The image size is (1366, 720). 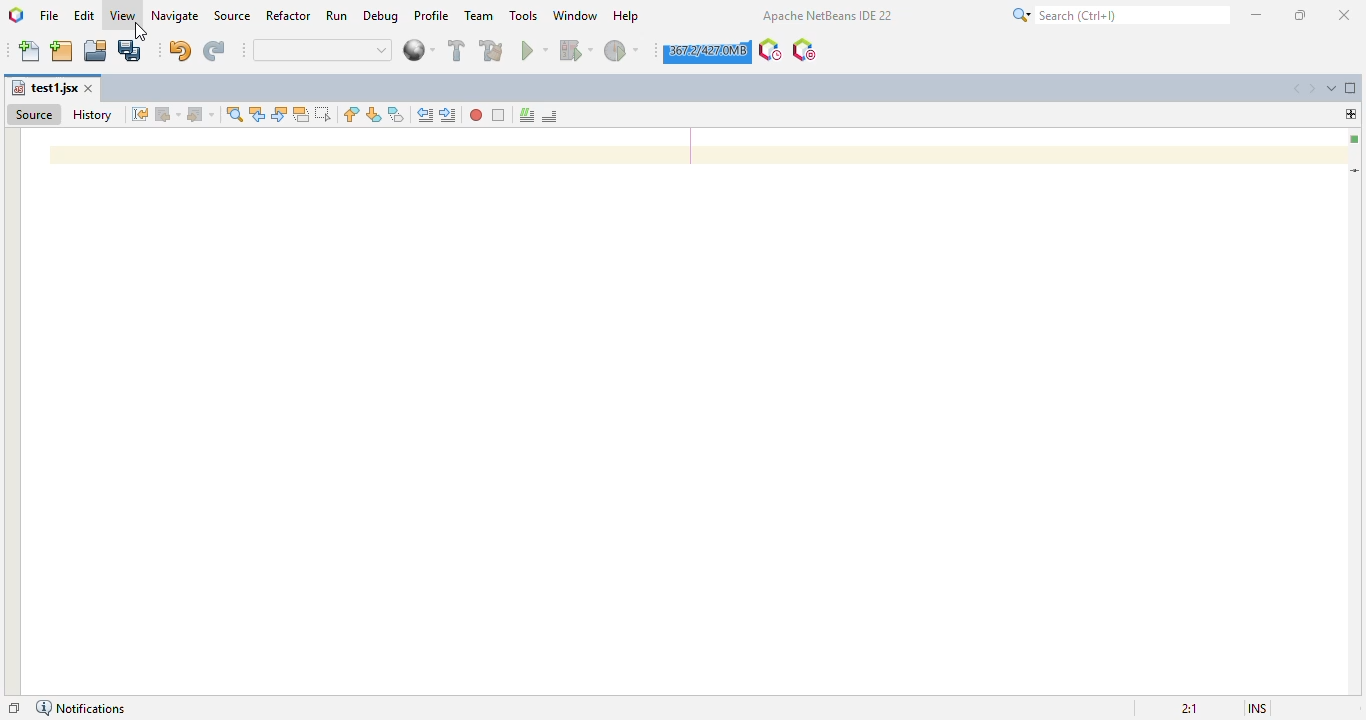 What do you see at coordinates (180, 50) in the screenshot?
I see `undo` at bounding box center [180, 50].